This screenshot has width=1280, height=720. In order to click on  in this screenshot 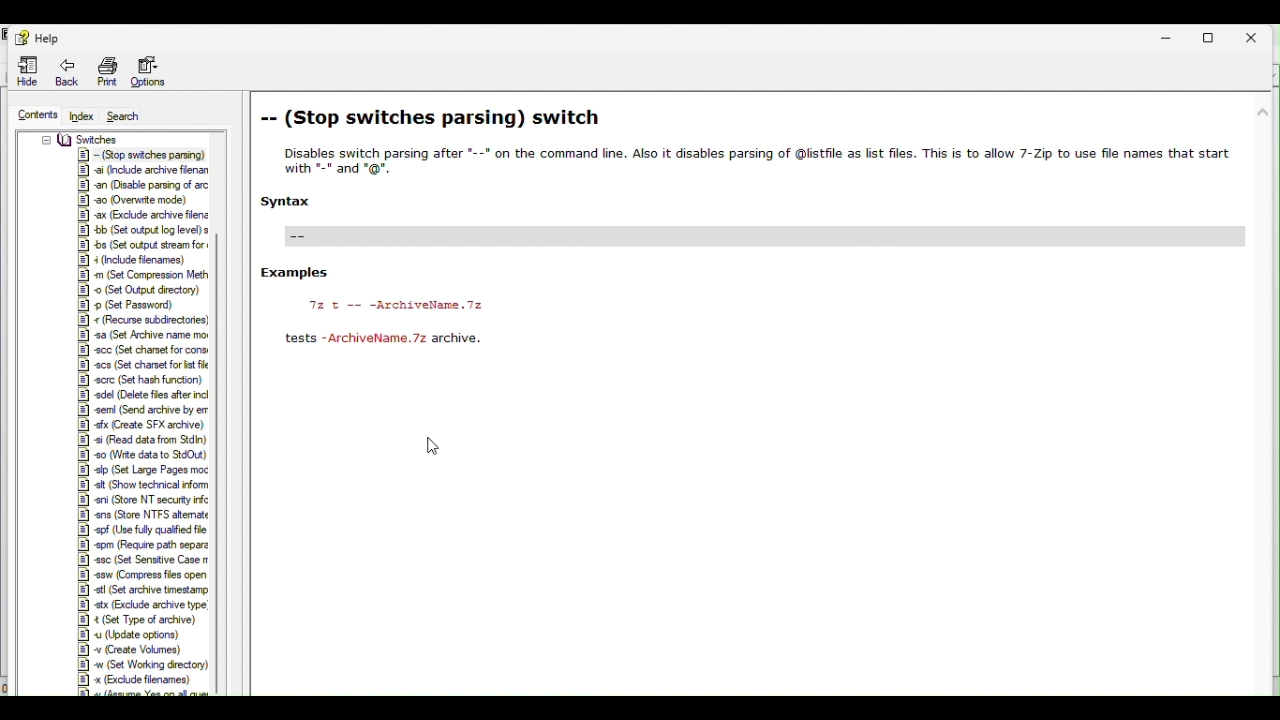, I will do `click(136, 634)`.